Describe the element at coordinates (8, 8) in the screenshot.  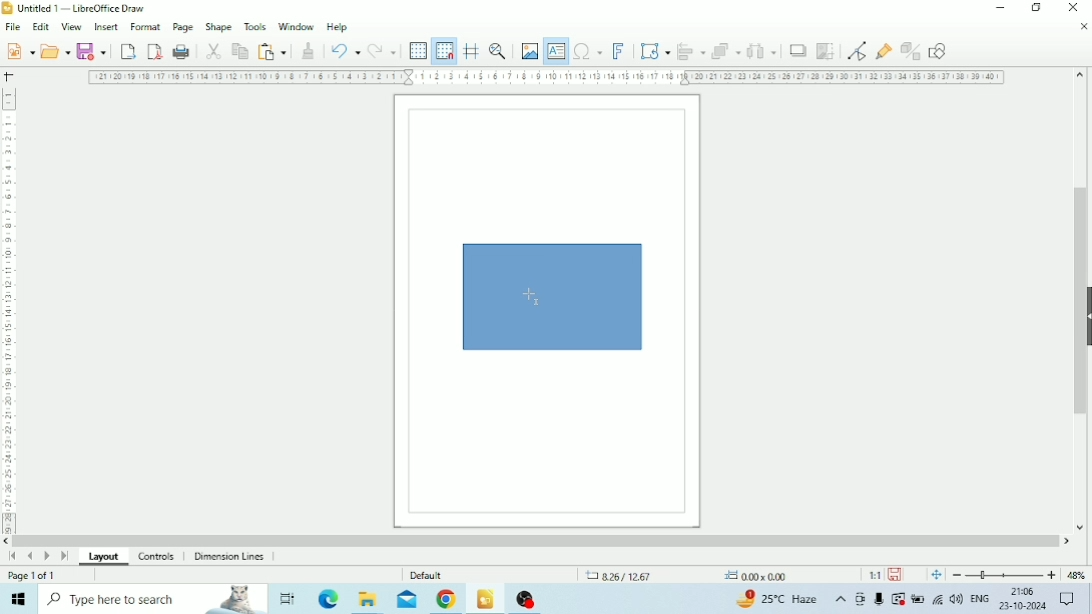
I see `Logo` at that location.